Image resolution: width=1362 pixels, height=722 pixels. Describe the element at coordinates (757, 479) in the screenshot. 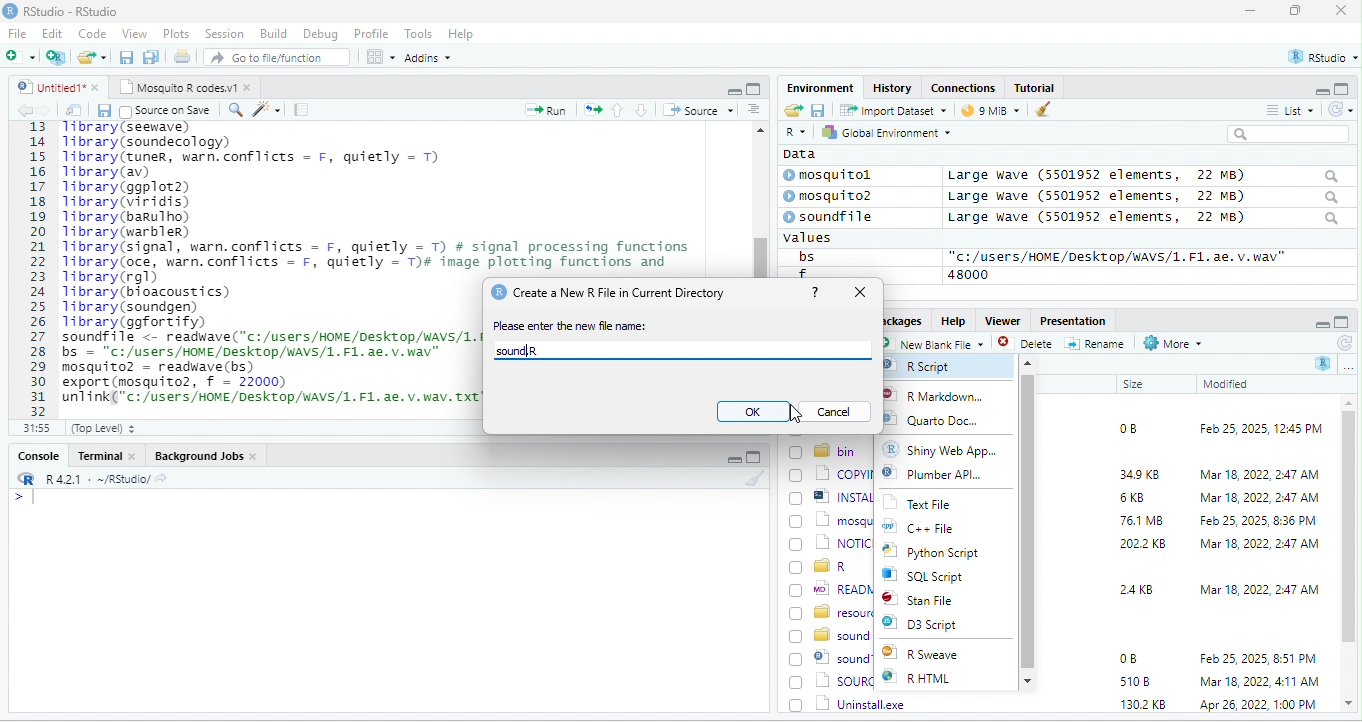

I see `brush` at that location.